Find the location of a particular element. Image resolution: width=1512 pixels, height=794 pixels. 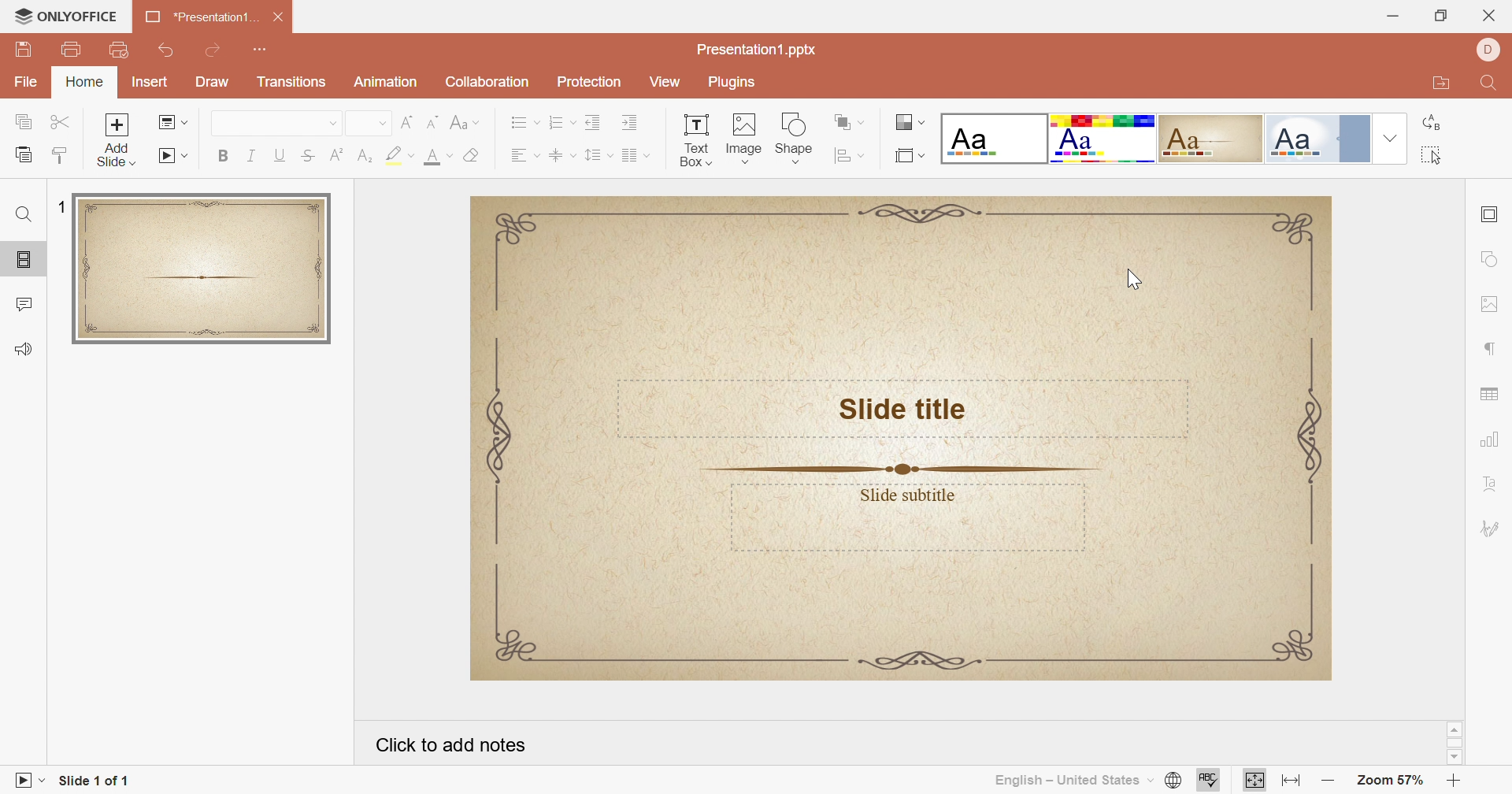

Open file location is located at coordinates (1446, 85).